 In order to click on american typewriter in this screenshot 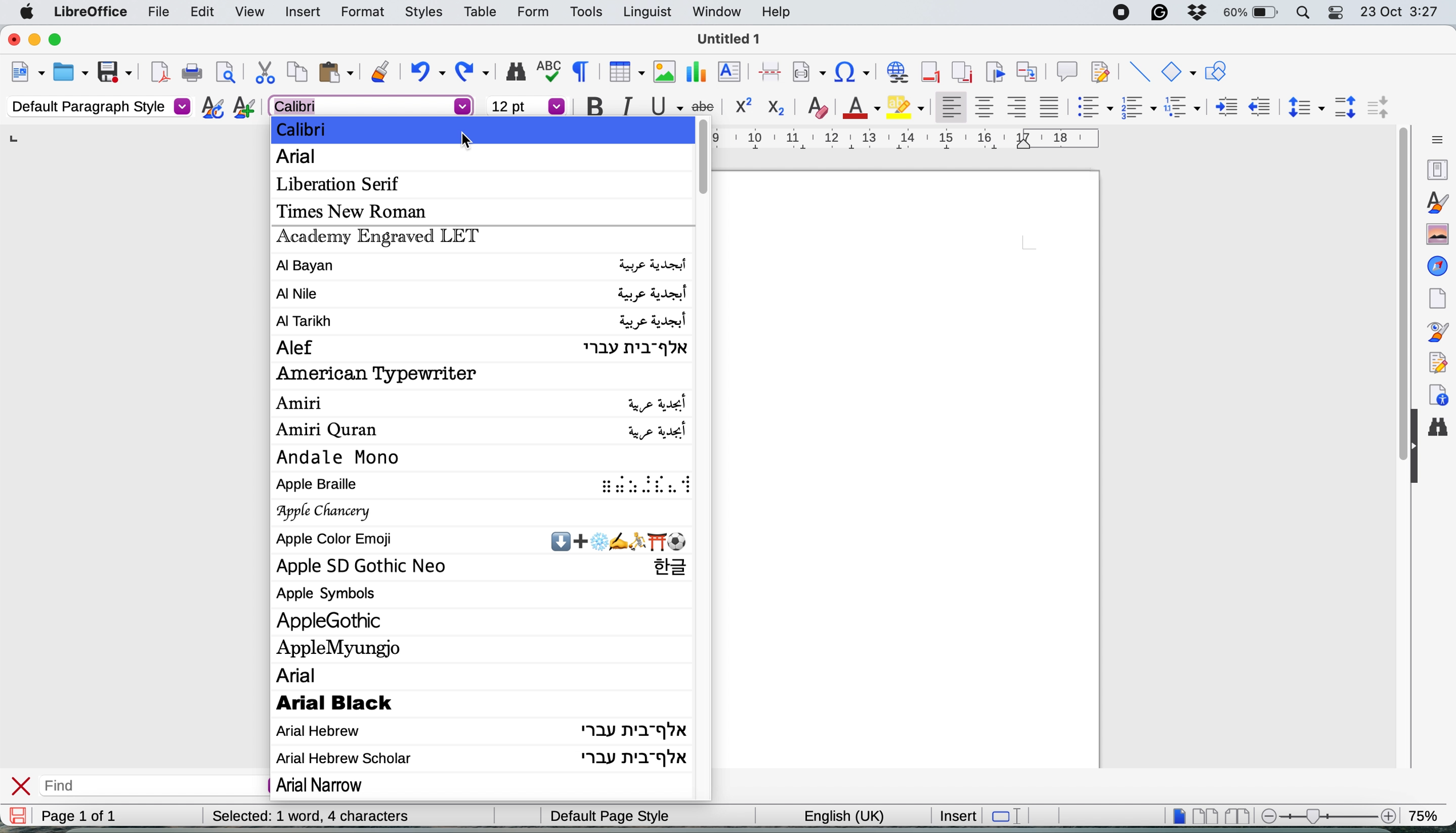, I will do `click(377, 374)`.